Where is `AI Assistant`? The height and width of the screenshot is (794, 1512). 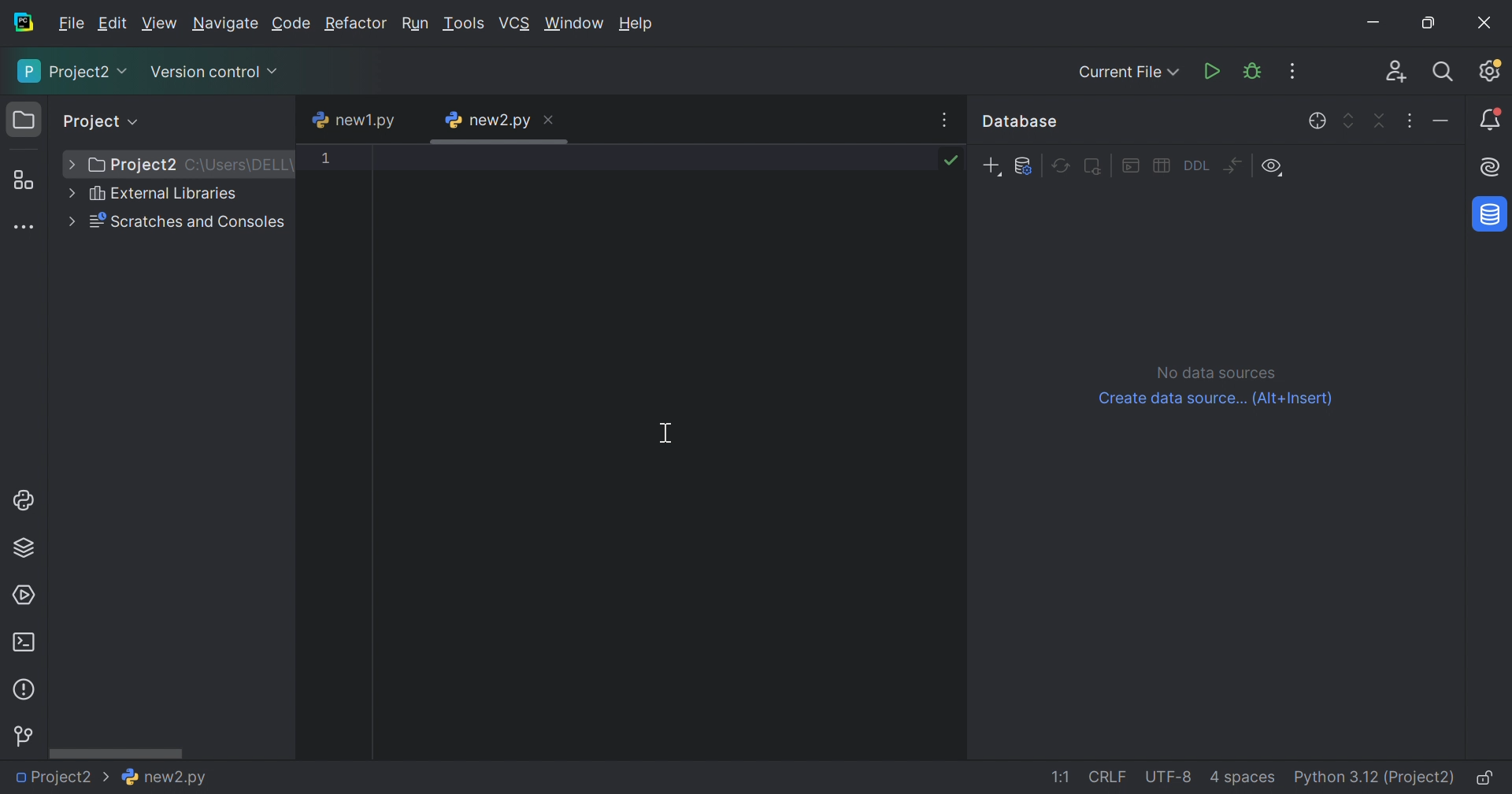 AI Assistant is located at coordinates (1492, 167).